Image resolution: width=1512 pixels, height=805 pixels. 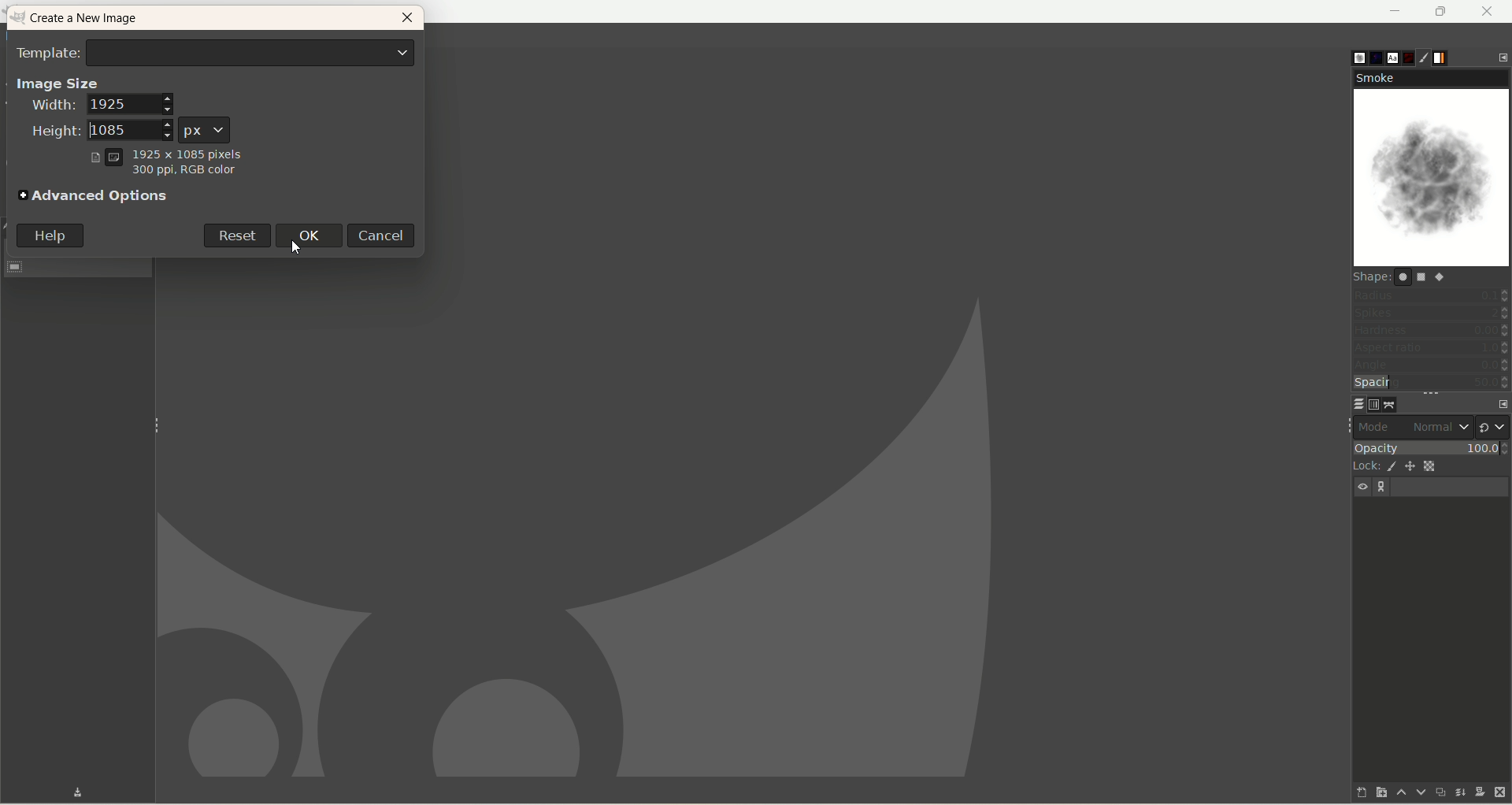 What do you see at coordinates (206, 127) in the screenshot?
I see `pixel` at bounding box center [206, 127].